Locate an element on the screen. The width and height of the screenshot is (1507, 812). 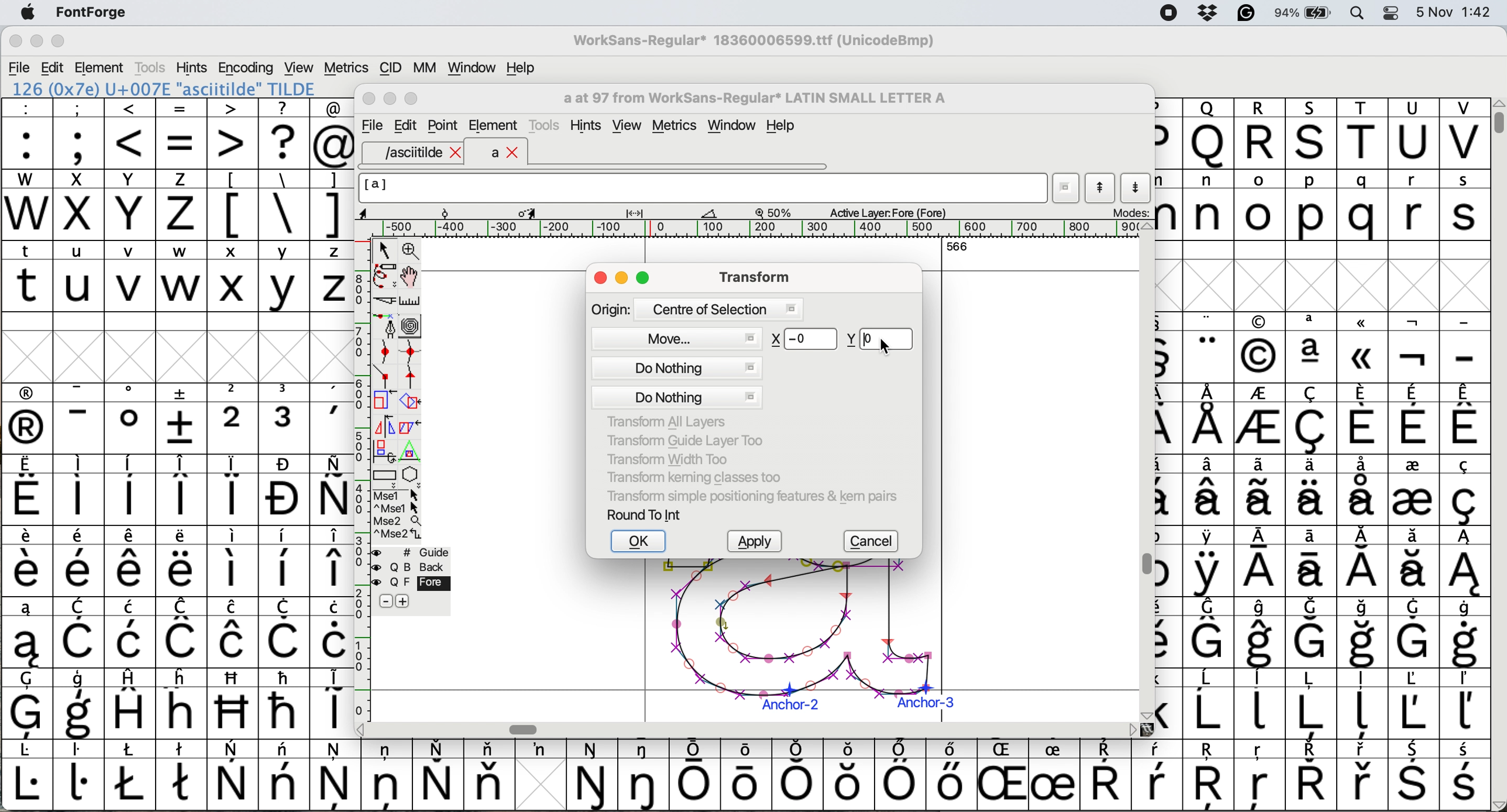
file is located at coordinates (20, 68).